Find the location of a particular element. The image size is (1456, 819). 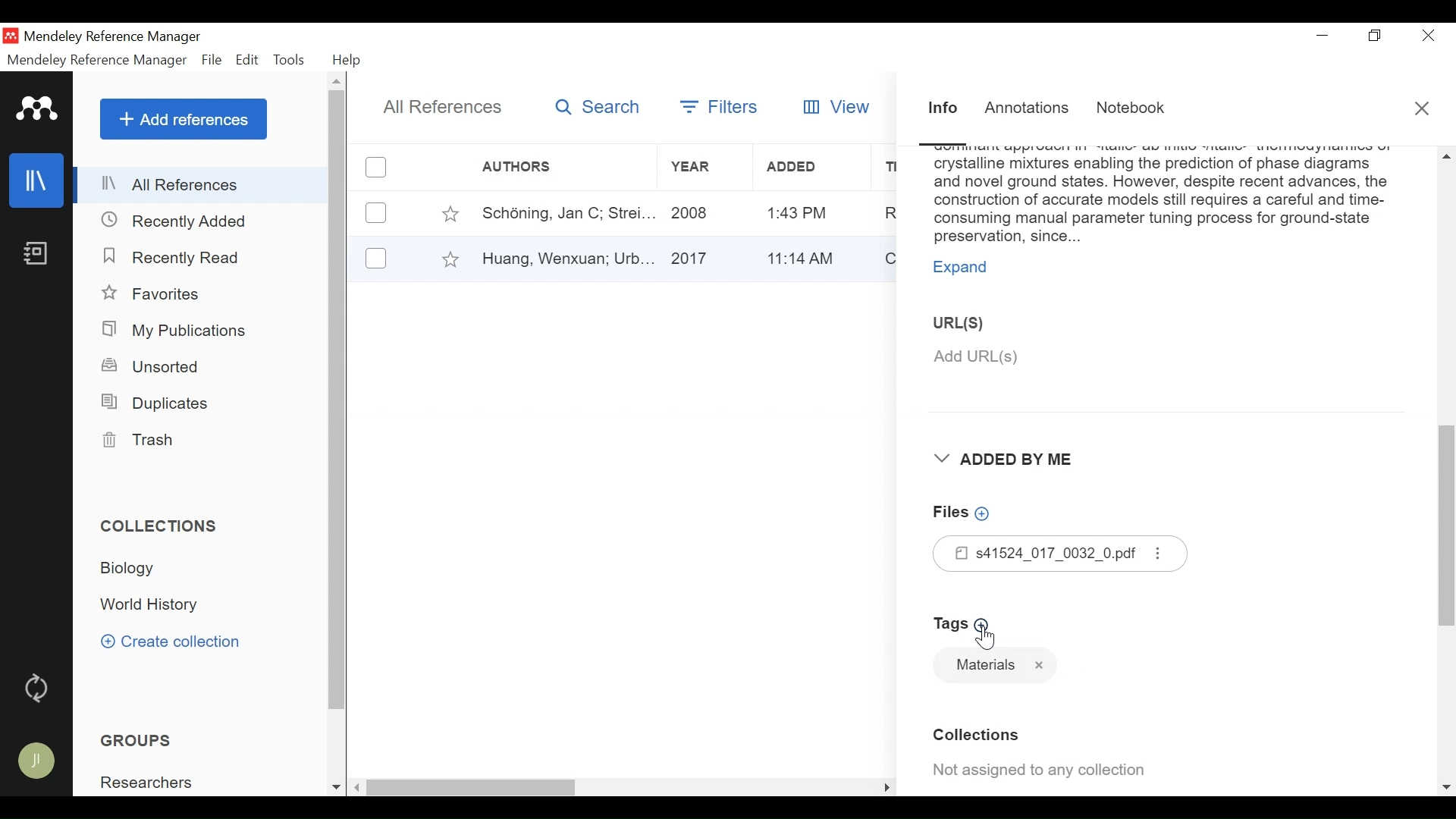

Added is located at coordinates (808, 168).